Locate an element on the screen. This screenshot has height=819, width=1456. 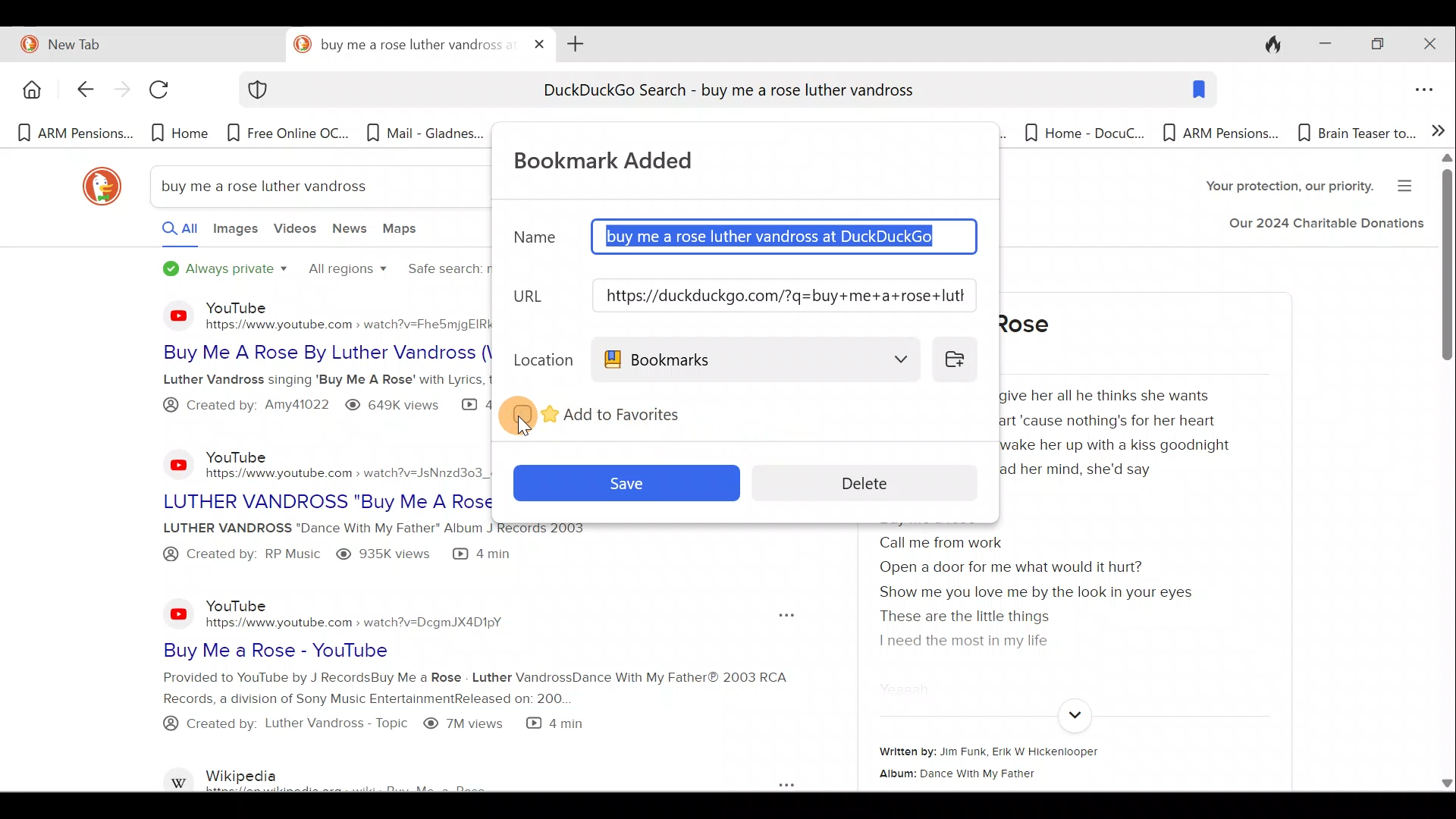
Bookmark 11 is located at coordinates (1354, 133).